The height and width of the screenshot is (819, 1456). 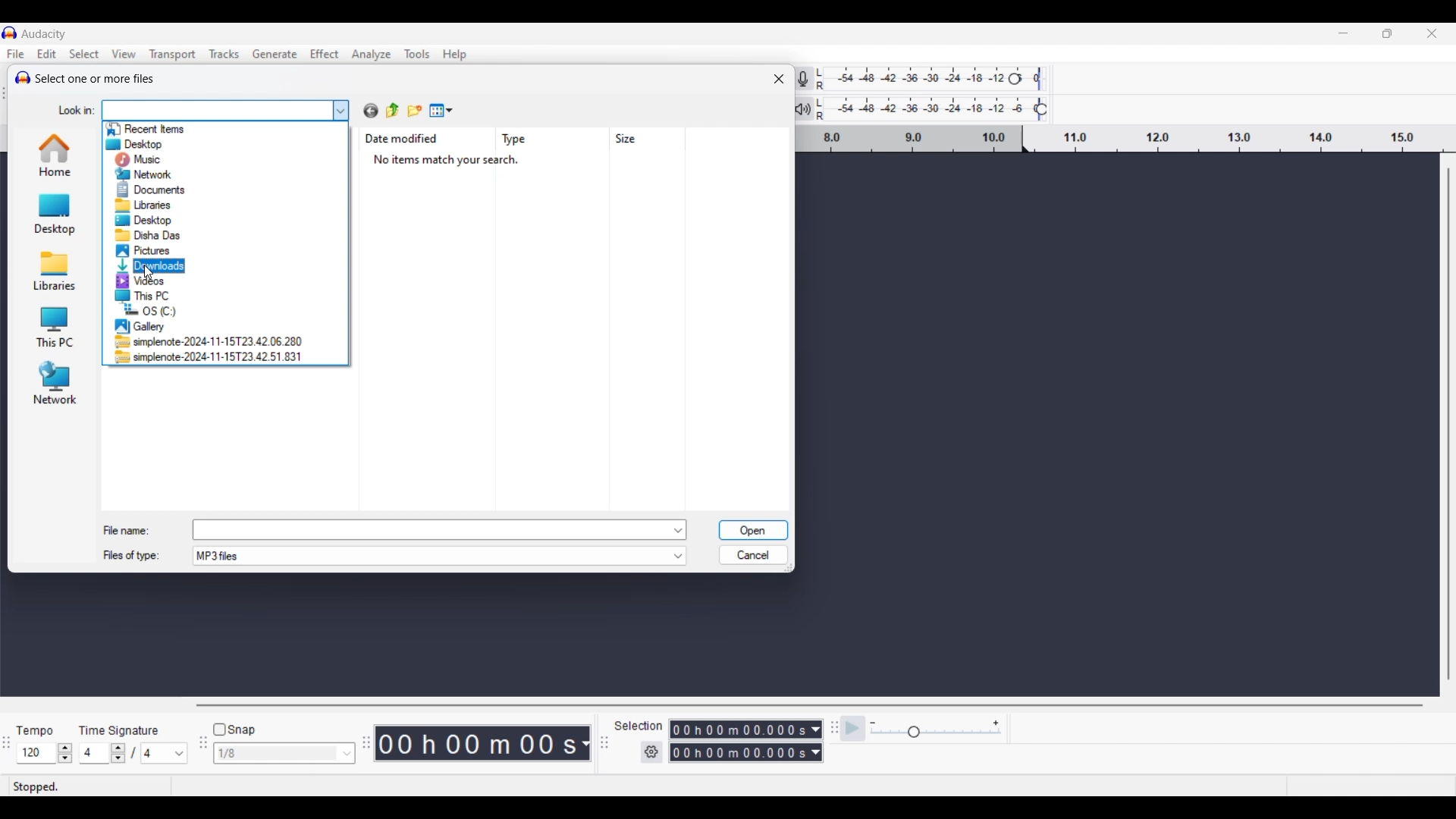 I want to click on Play-at-speed/Play-at-speed once, so click(x=854, y=729).